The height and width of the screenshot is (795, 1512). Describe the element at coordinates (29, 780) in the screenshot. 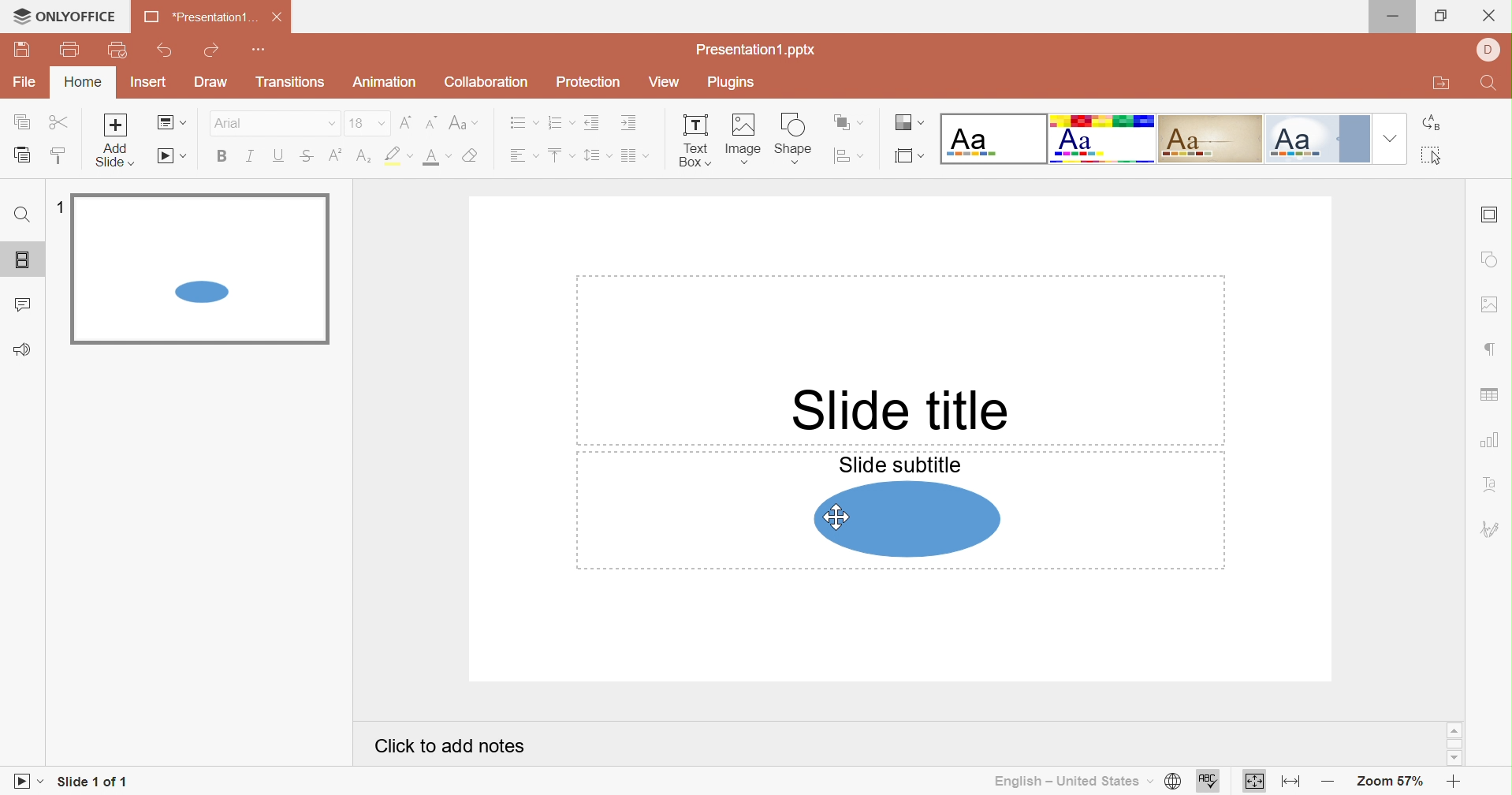

I see `Start slideshow` at that location.